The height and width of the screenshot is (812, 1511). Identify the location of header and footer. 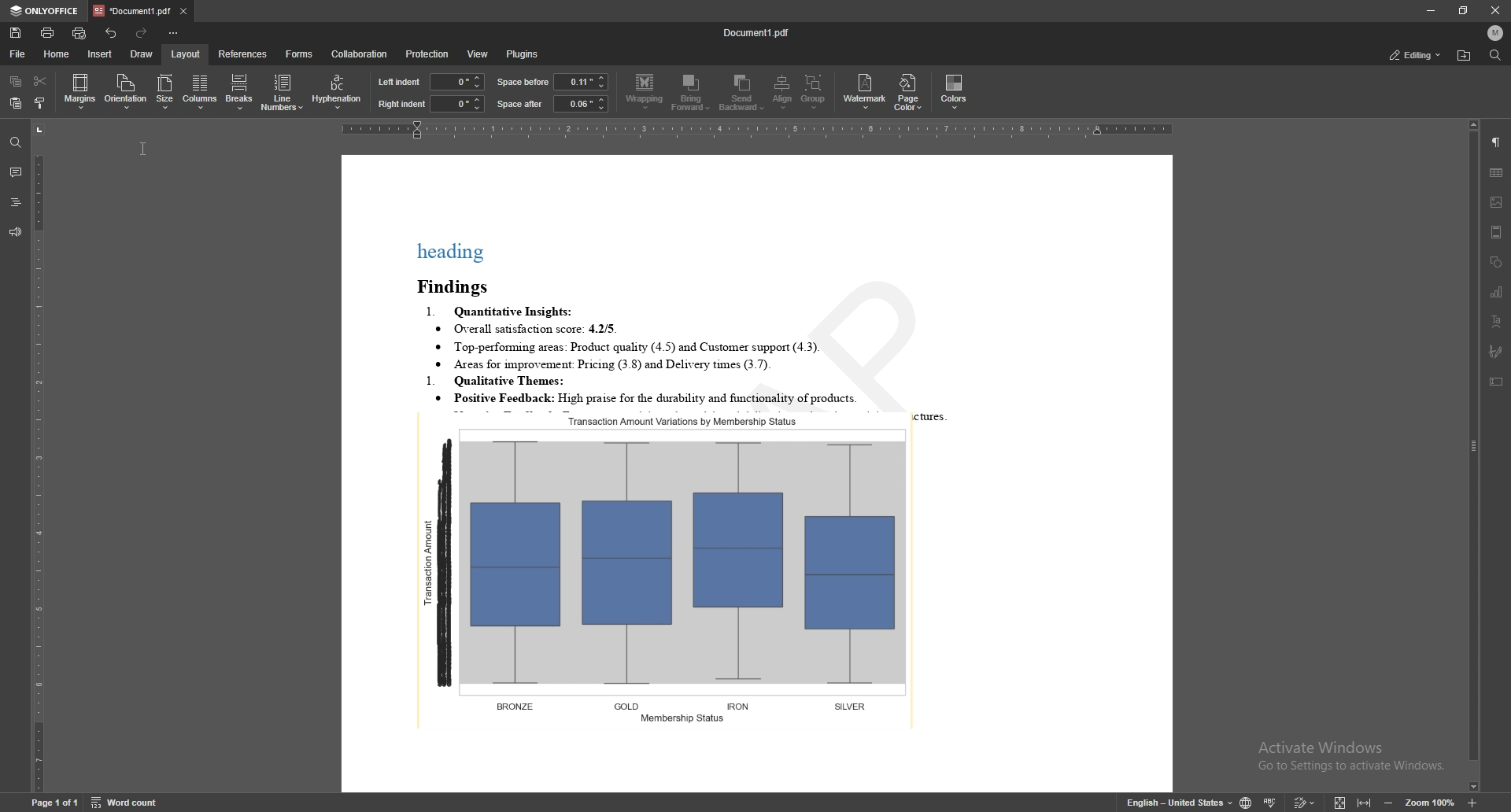
(1497, 232).